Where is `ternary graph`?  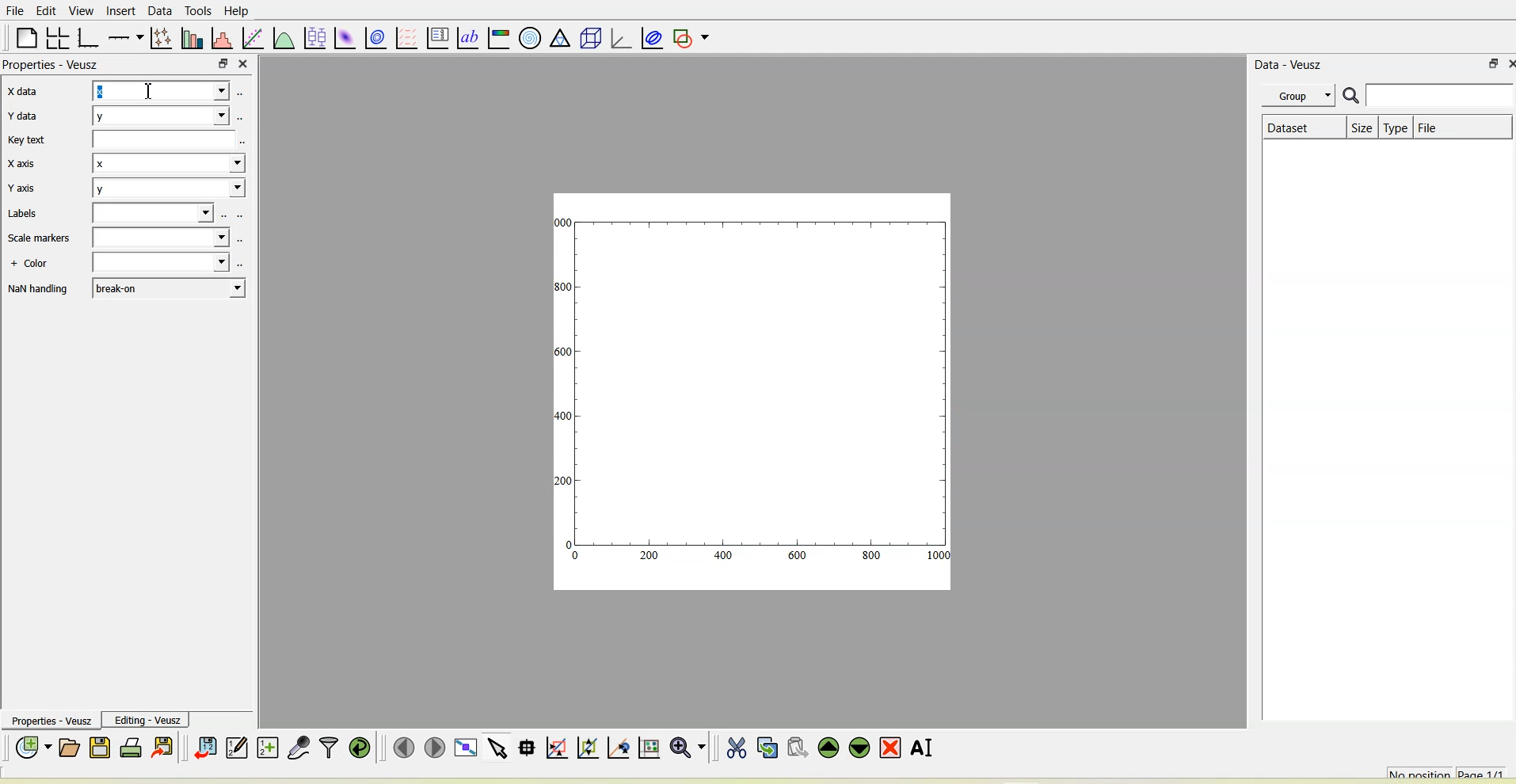 ternary graph is located at coordinates (560, 38).